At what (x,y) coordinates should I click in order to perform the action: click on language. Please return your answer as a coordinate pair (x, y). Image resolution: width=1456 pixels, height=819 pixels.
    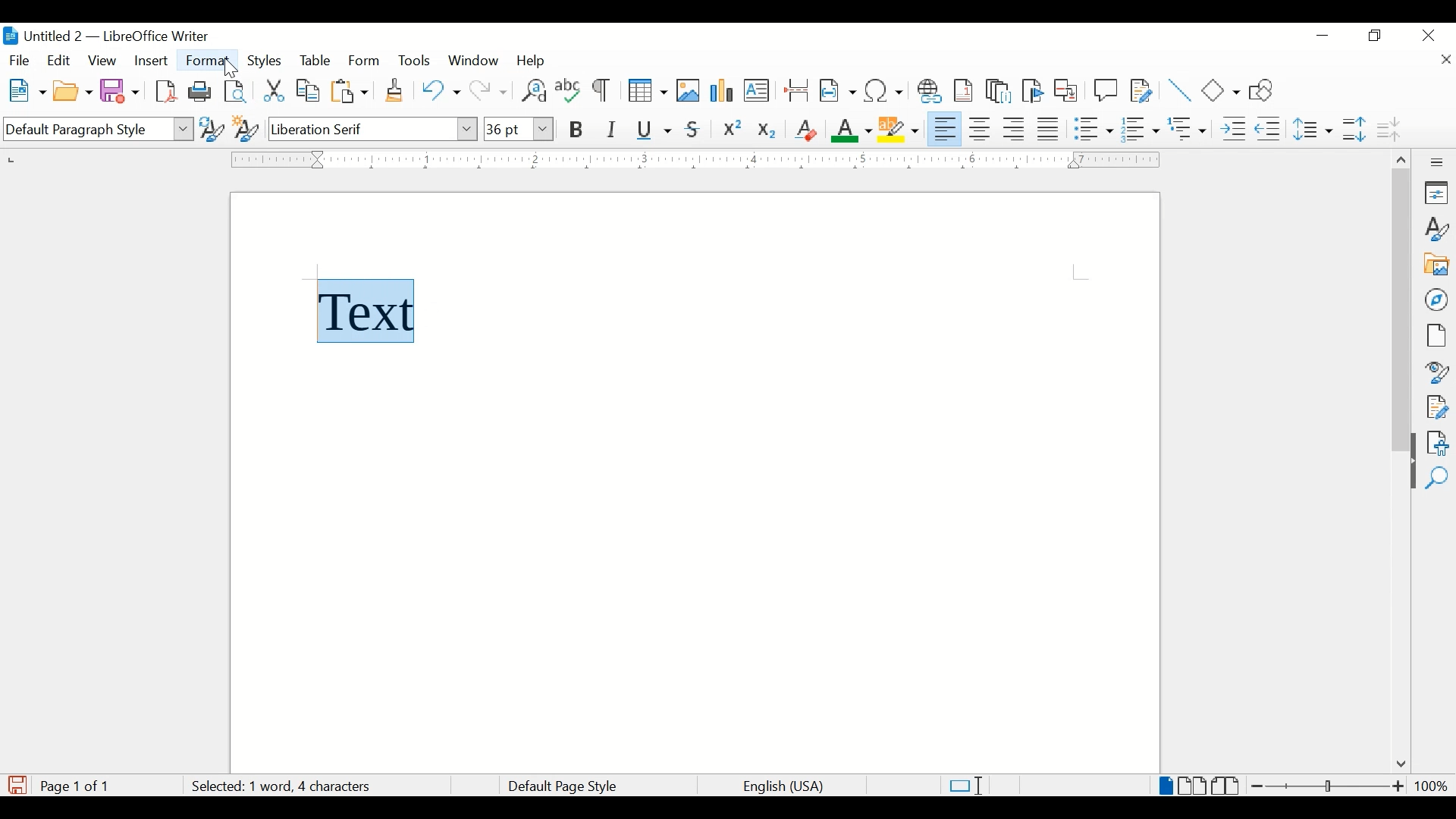
    Looking at the image, I should click on (785, 787).